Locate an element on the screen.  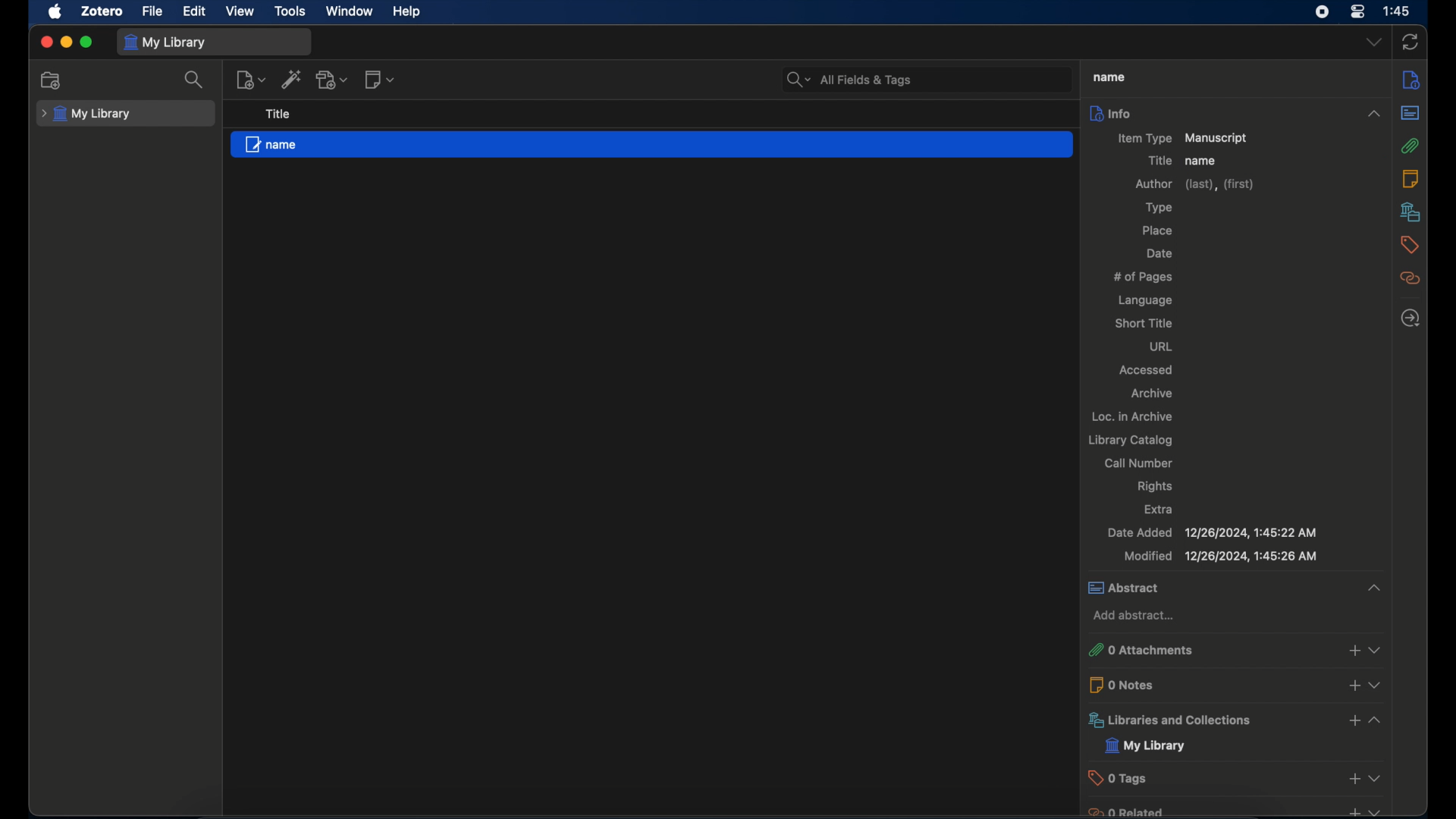
libraries is located at coordinates (1410, 212).